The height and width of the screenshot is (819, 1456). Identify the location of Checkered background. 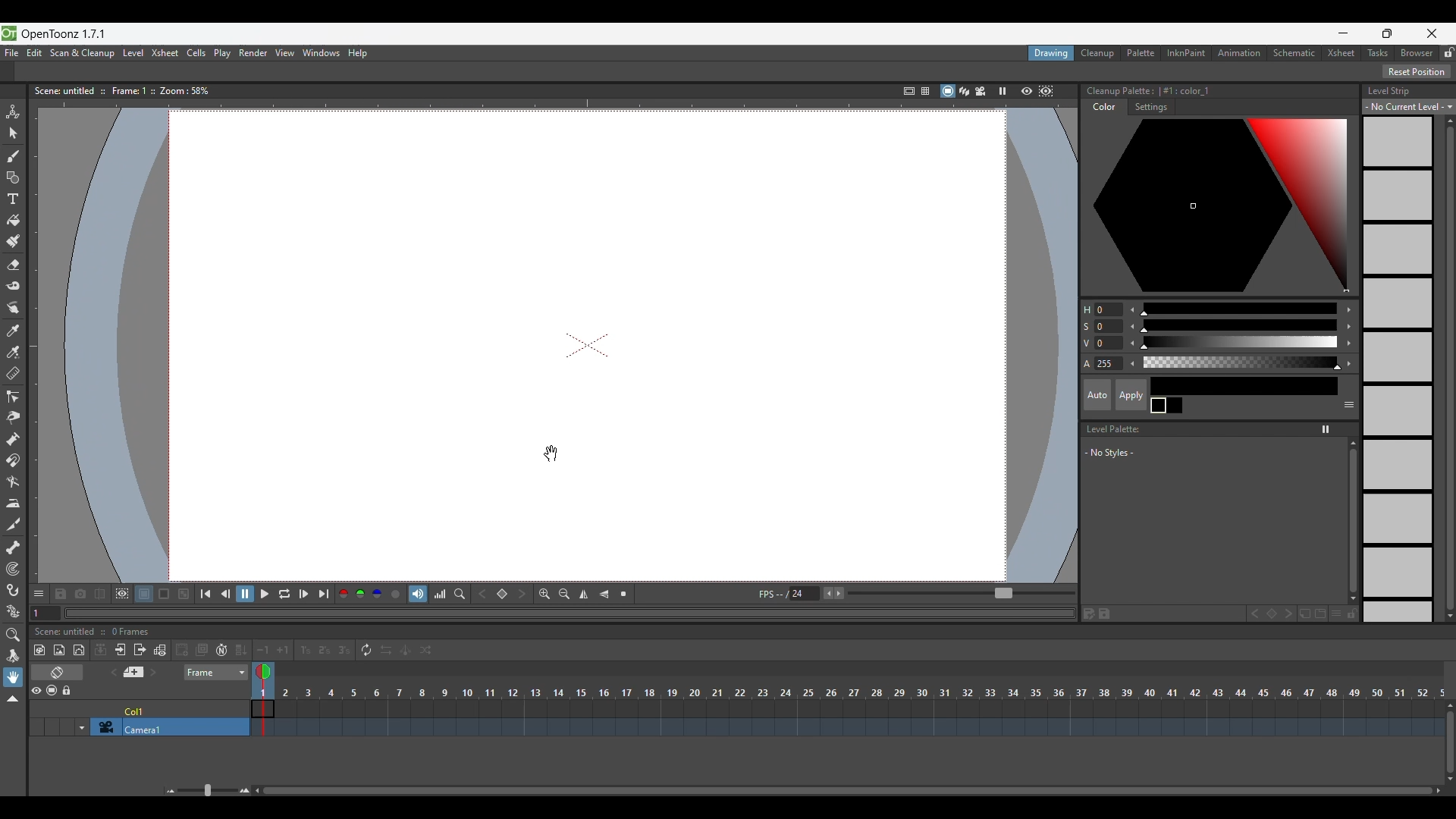
(184, 594).